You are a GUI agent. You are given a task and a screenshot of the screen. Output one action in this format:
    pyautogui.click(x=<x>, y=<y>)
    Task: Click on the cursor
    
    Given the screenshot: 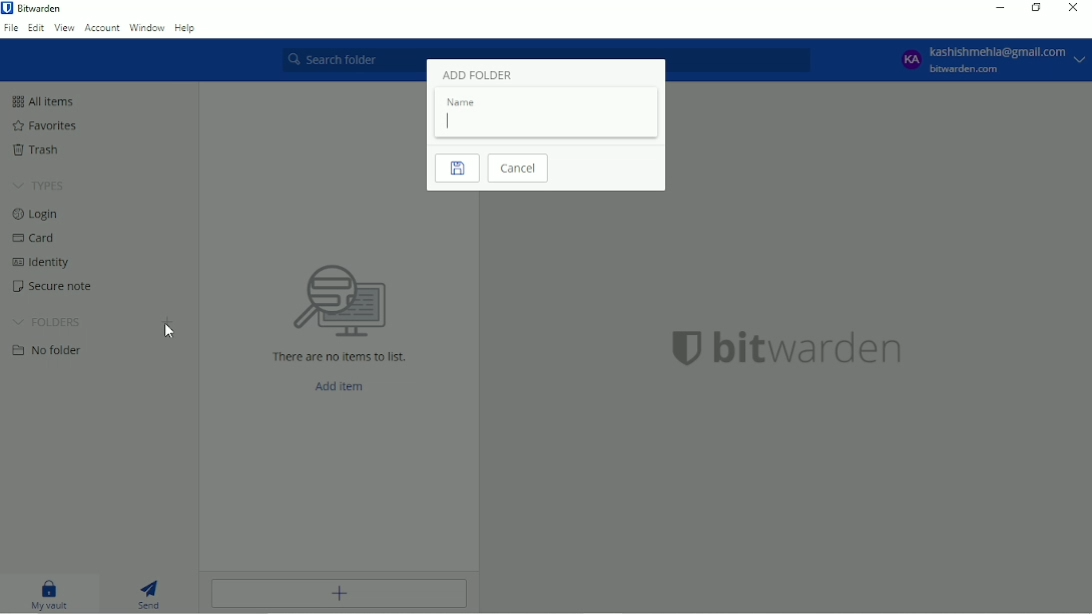 What is the action you would take?
    pyautogui.click(x=168, y=338)
    